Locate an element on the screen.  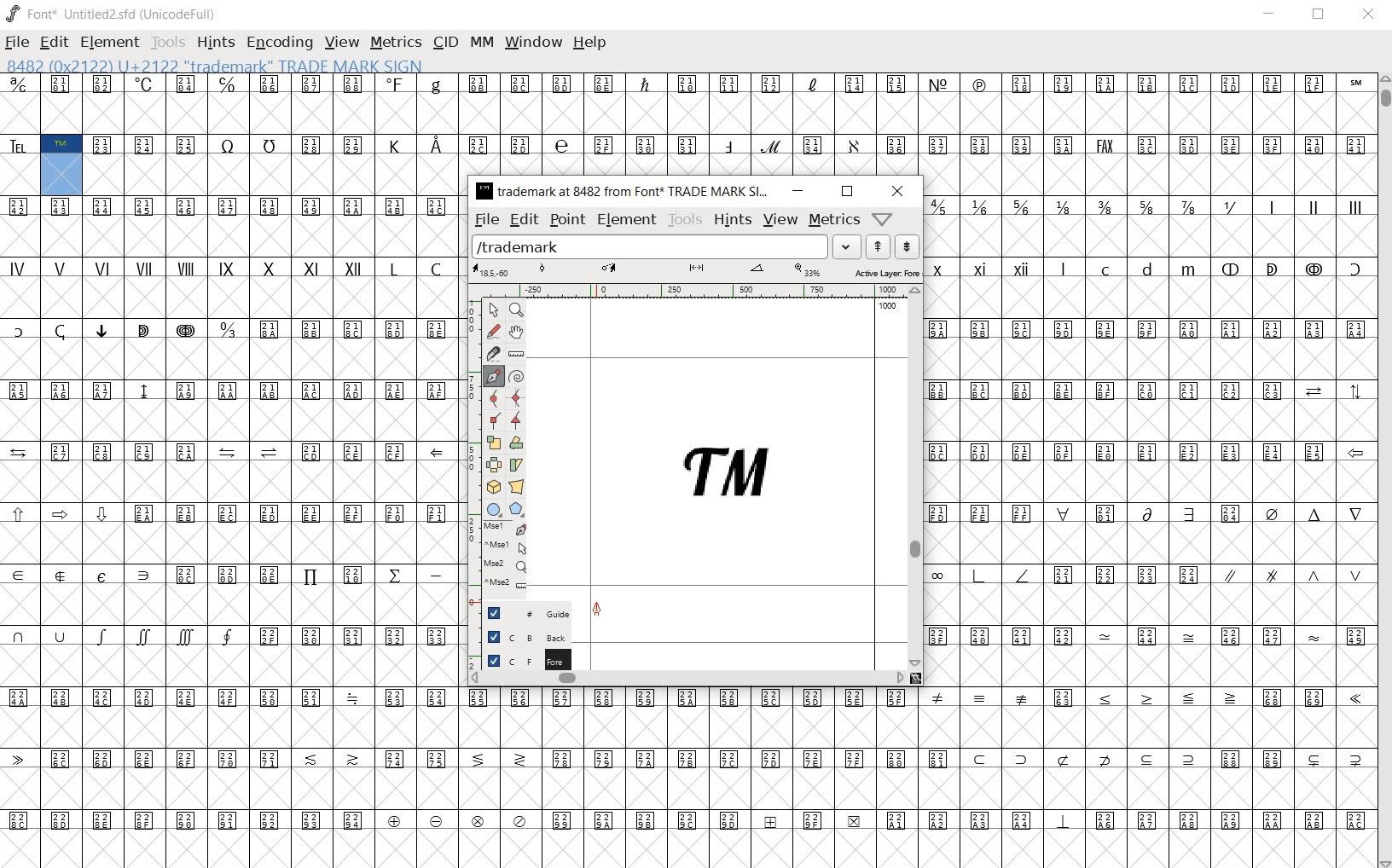
measure a distance, angle between points is located at coordinates (517, 356).